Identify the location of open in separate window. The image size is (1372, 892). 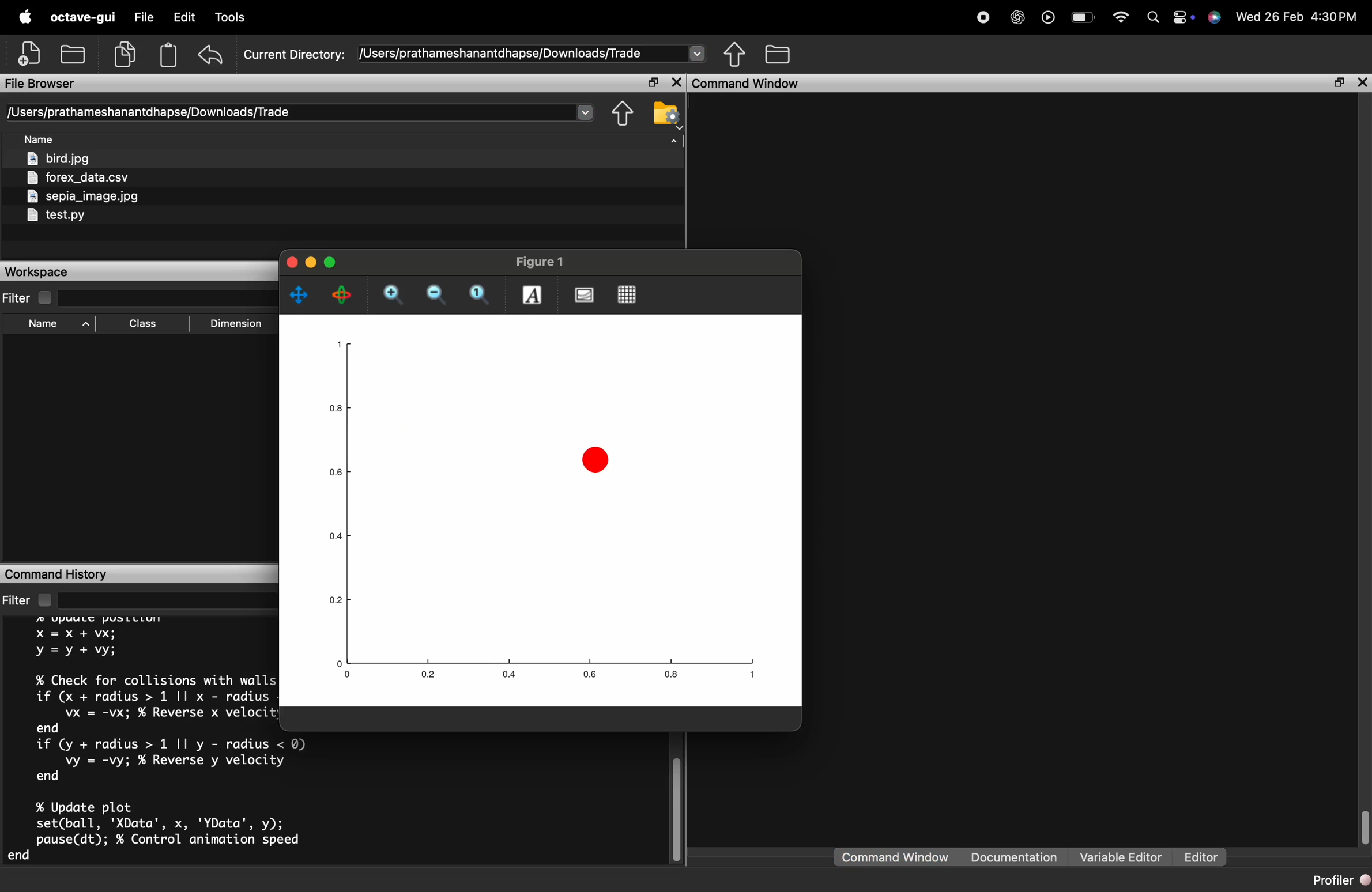
(1338, 82).